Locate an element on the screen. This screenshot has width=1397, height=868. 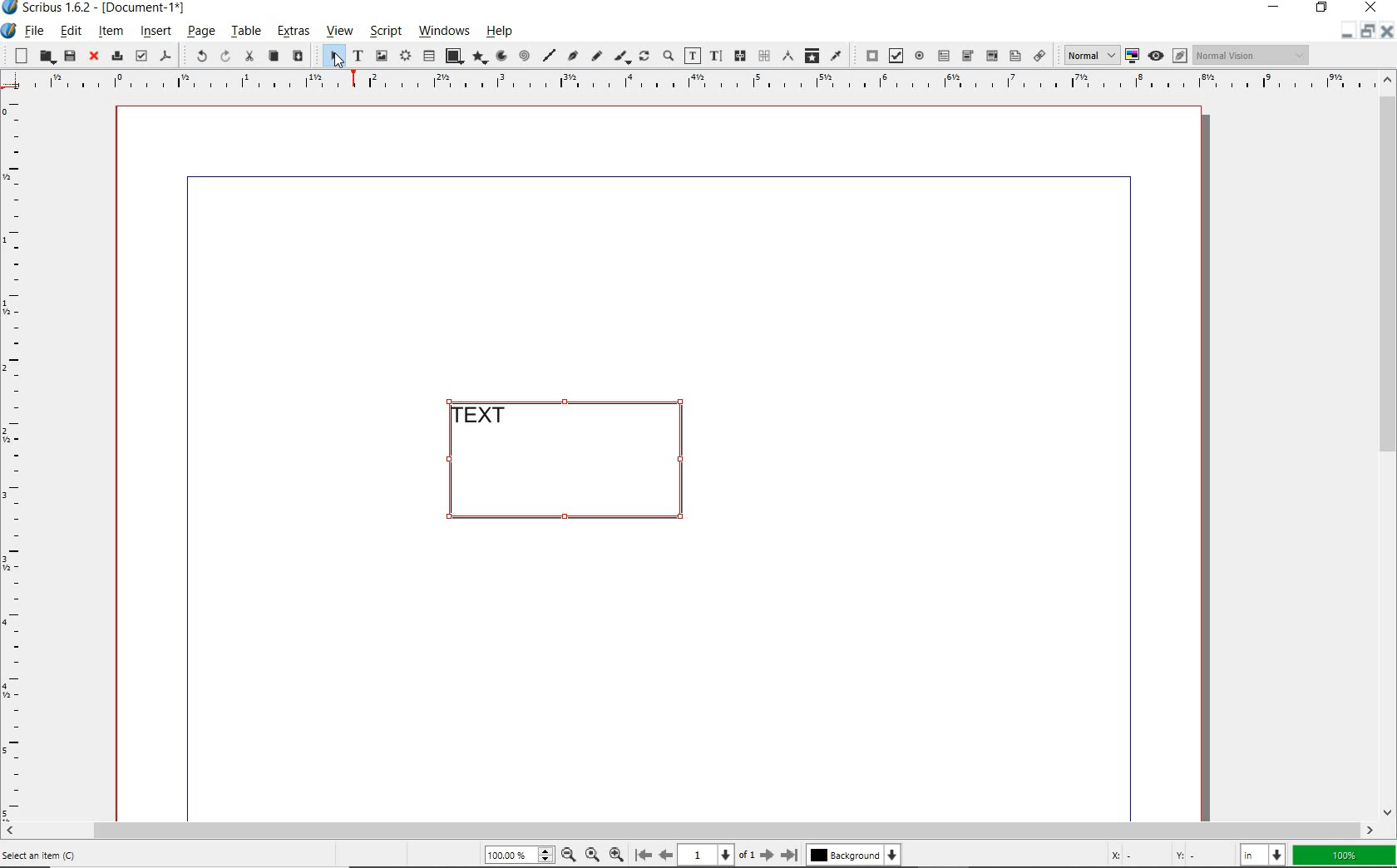
Last Page is located at coordinates (791, 855).